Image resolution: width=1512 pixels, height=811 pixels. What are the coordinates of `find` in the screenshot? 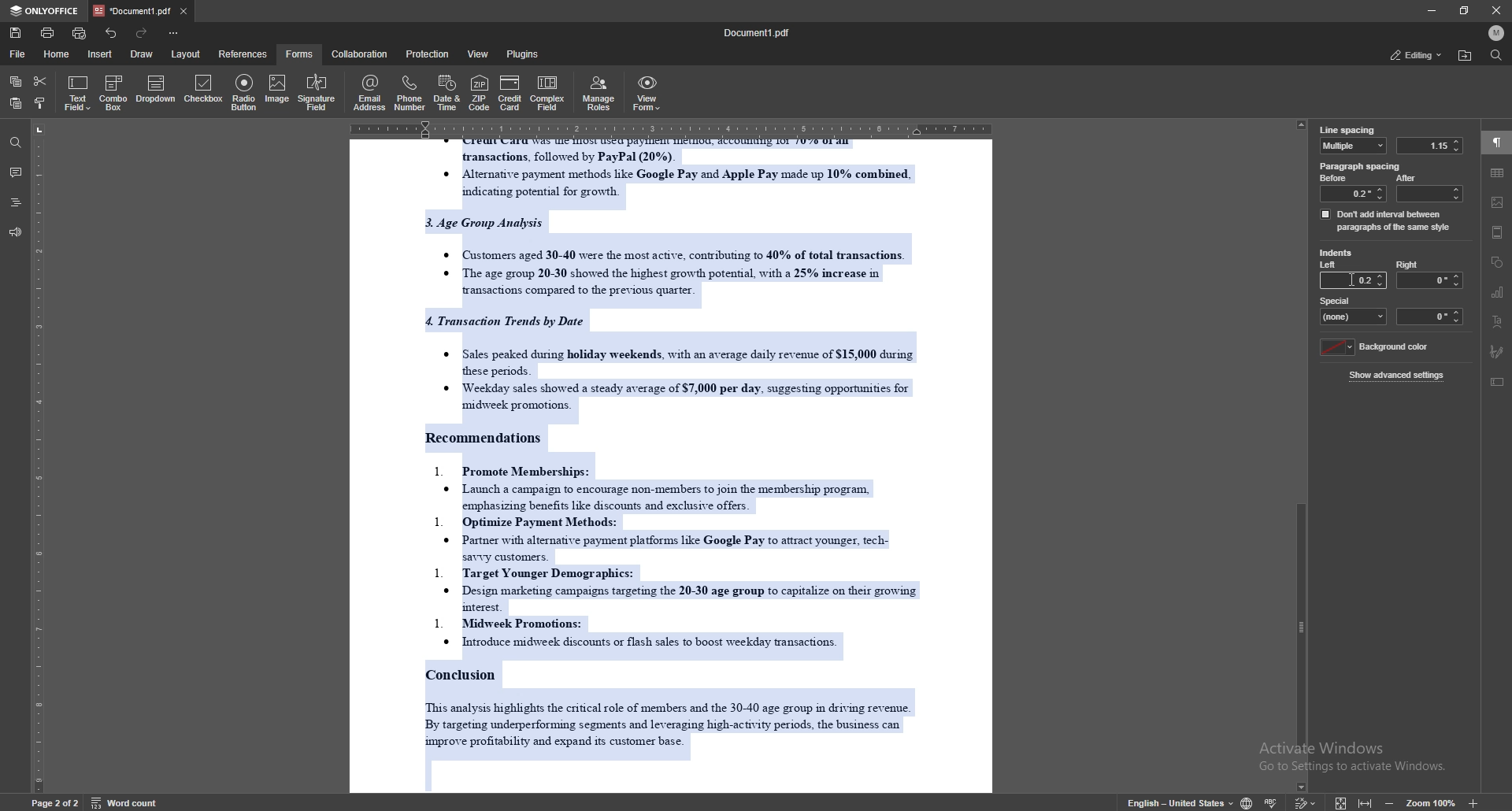 It's located at (1496, 55).